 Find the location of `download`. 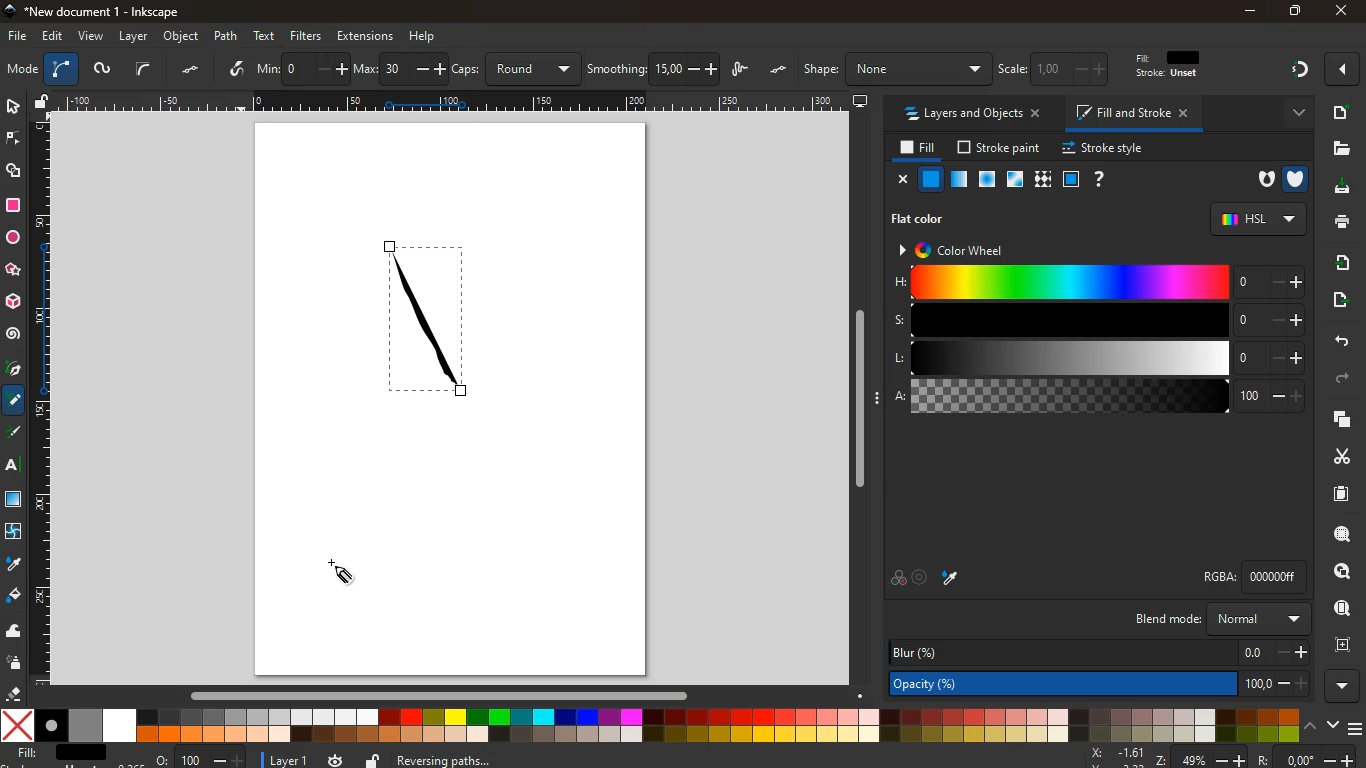

download is located at coordinates (1336, 188).